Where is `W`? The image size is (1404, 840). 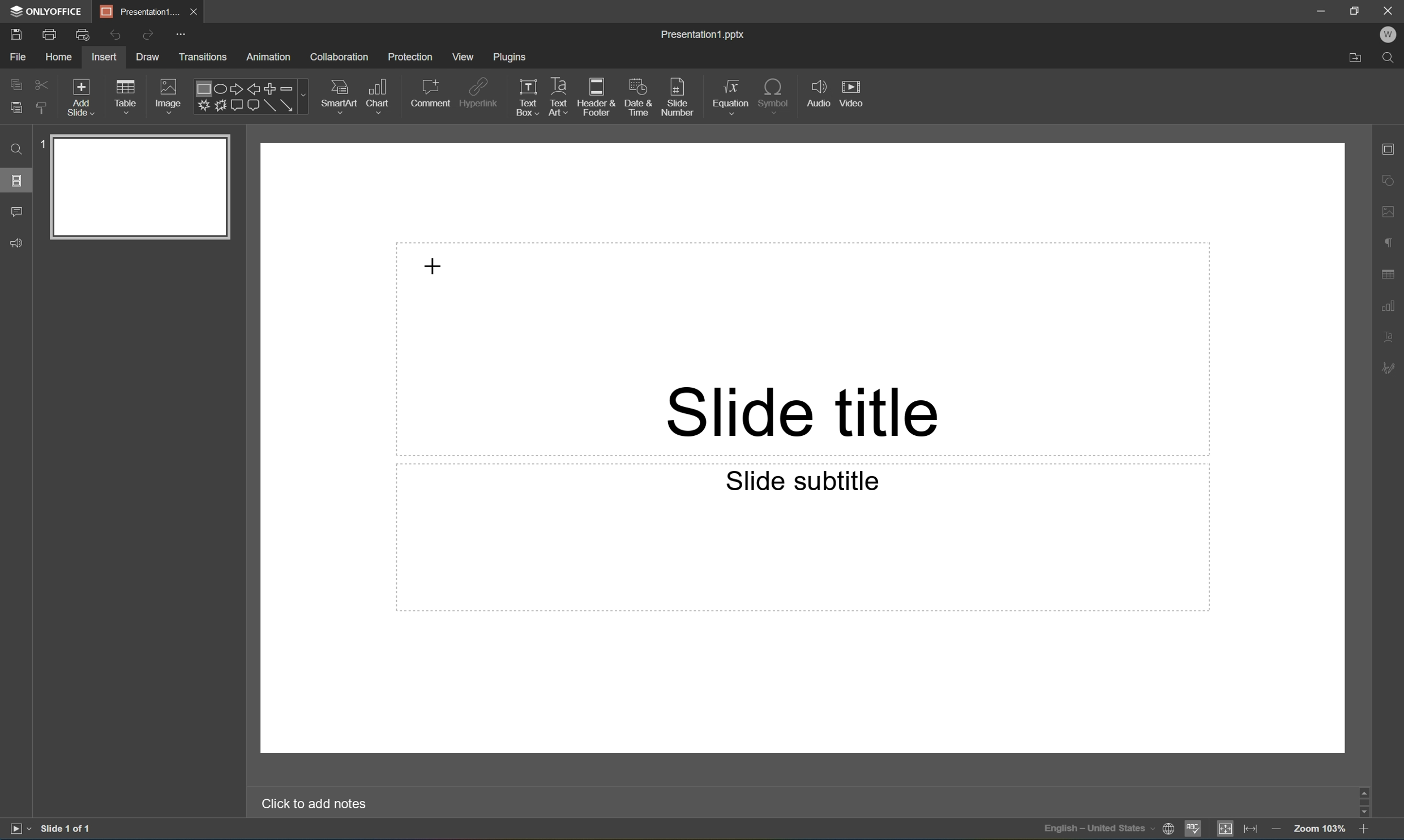 W is located at coordinates (1388, 35).